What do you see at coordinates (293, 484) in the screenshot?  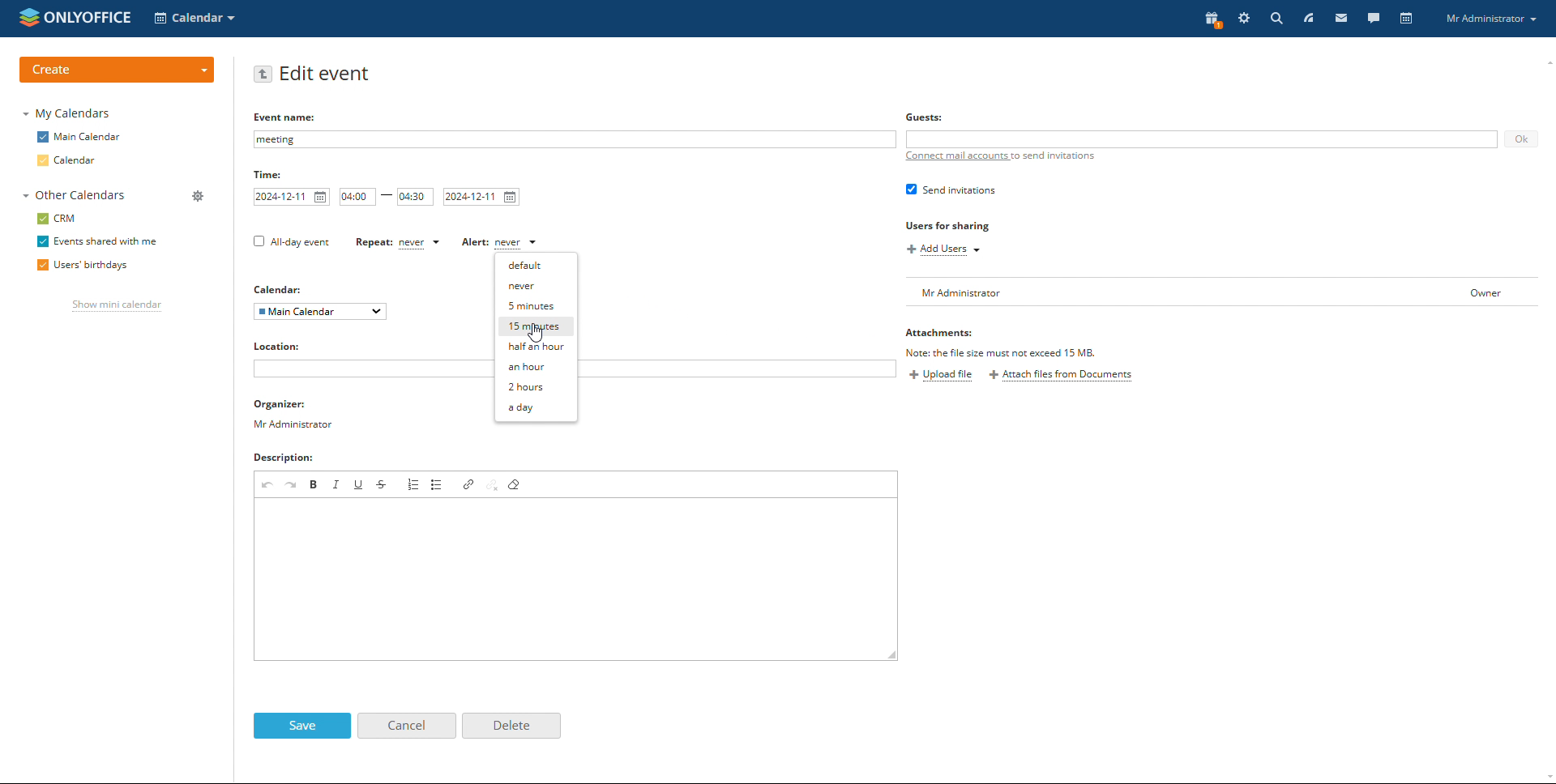 I see `redo` at bounding box center [293, 484].